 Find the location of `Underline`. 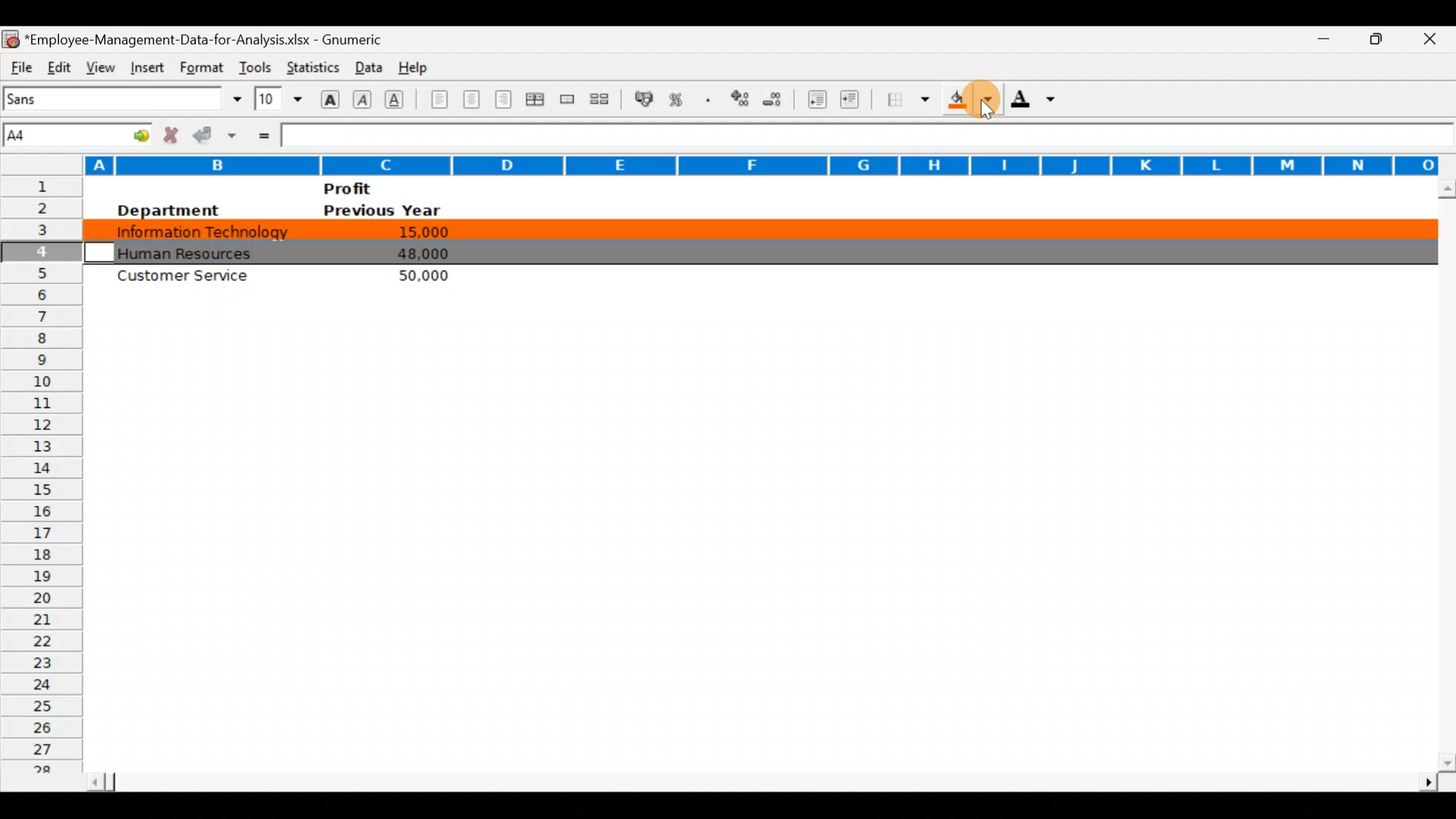

Underline is located at coordinates (399, 99).